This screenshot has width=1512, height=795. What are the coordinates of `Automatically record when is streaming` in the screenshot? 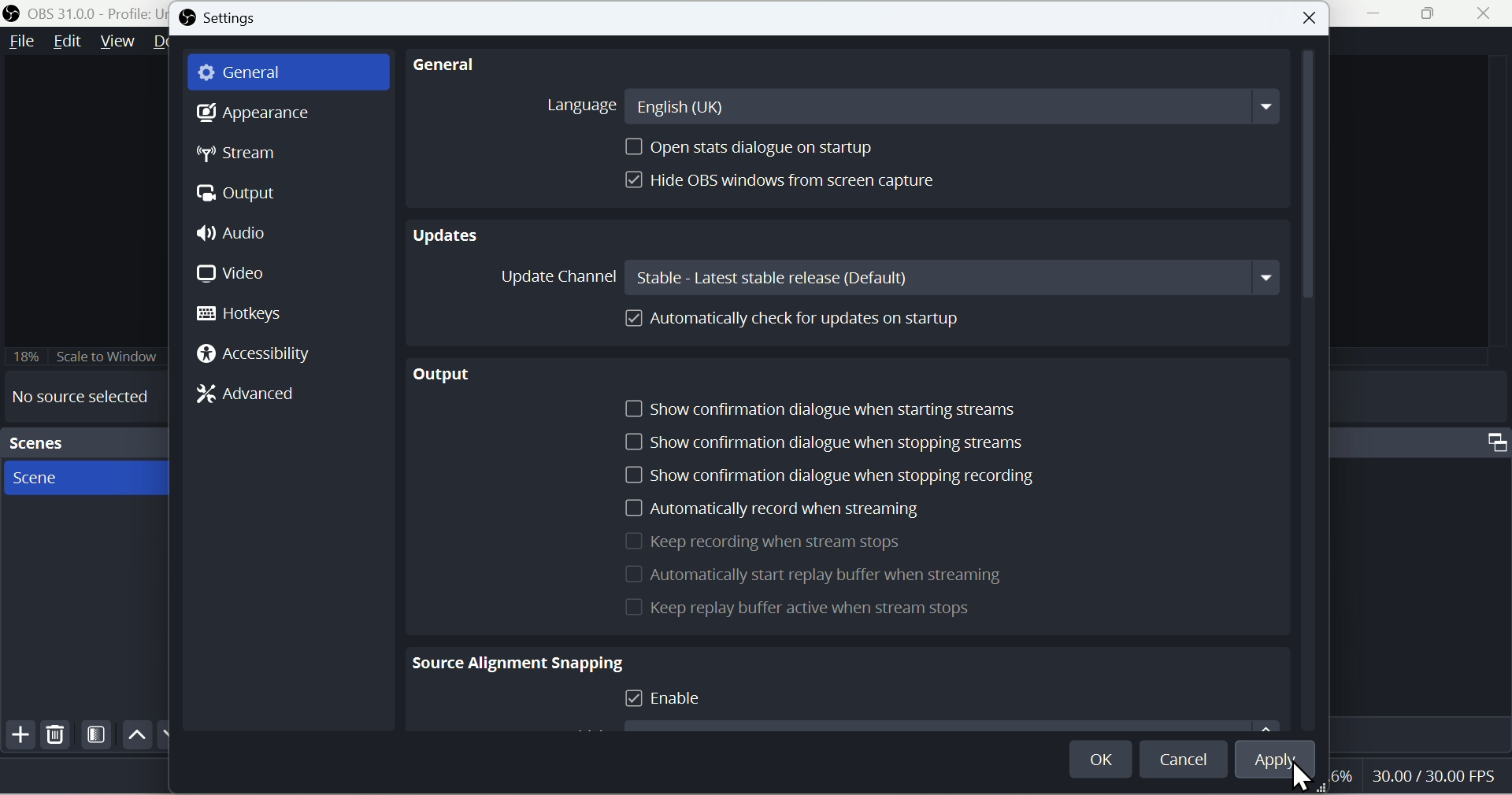 It's located at (768, 510).